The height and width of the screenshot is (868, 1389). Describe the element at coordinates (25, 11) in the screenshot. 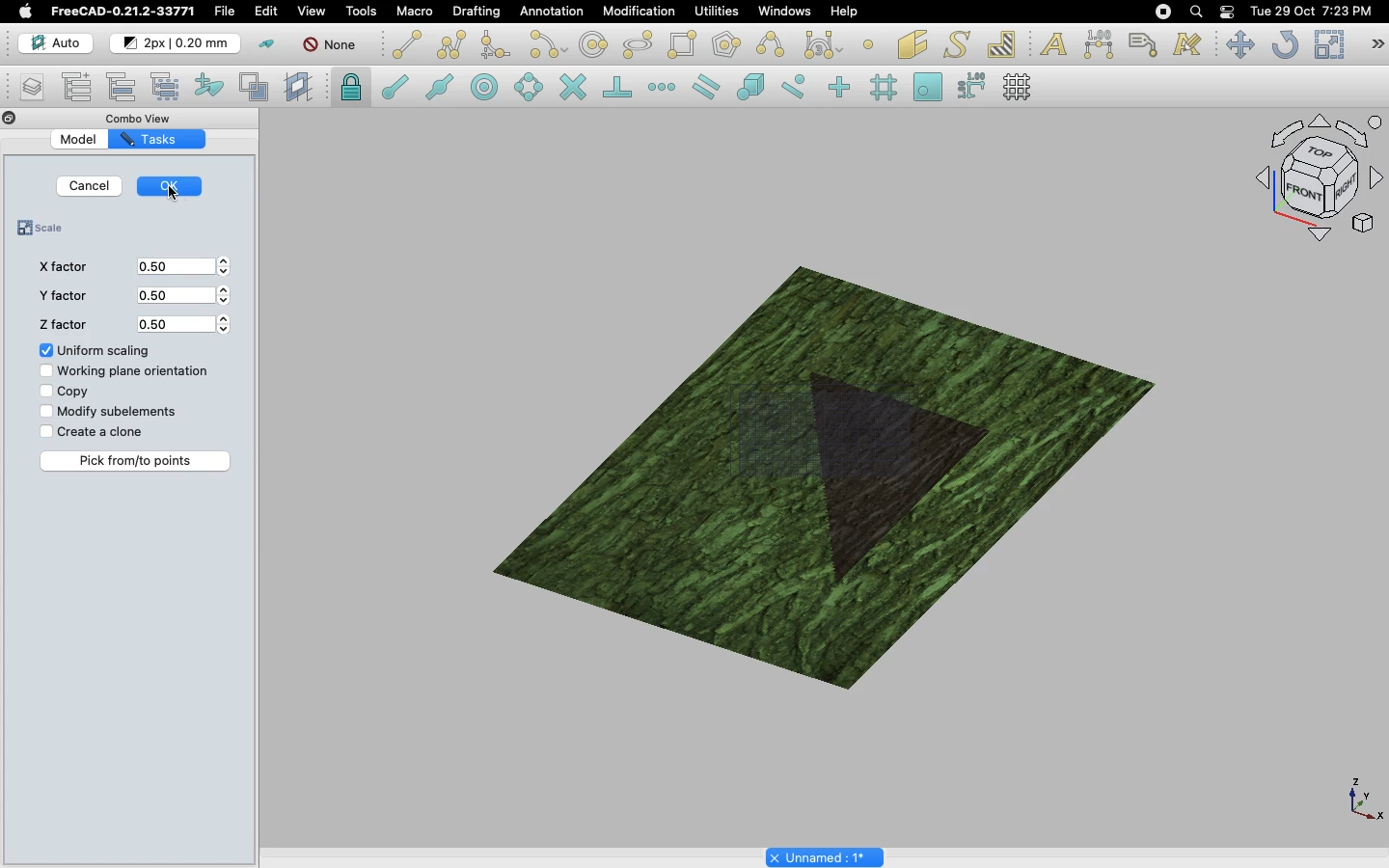

I see `Apple logo` at that location.